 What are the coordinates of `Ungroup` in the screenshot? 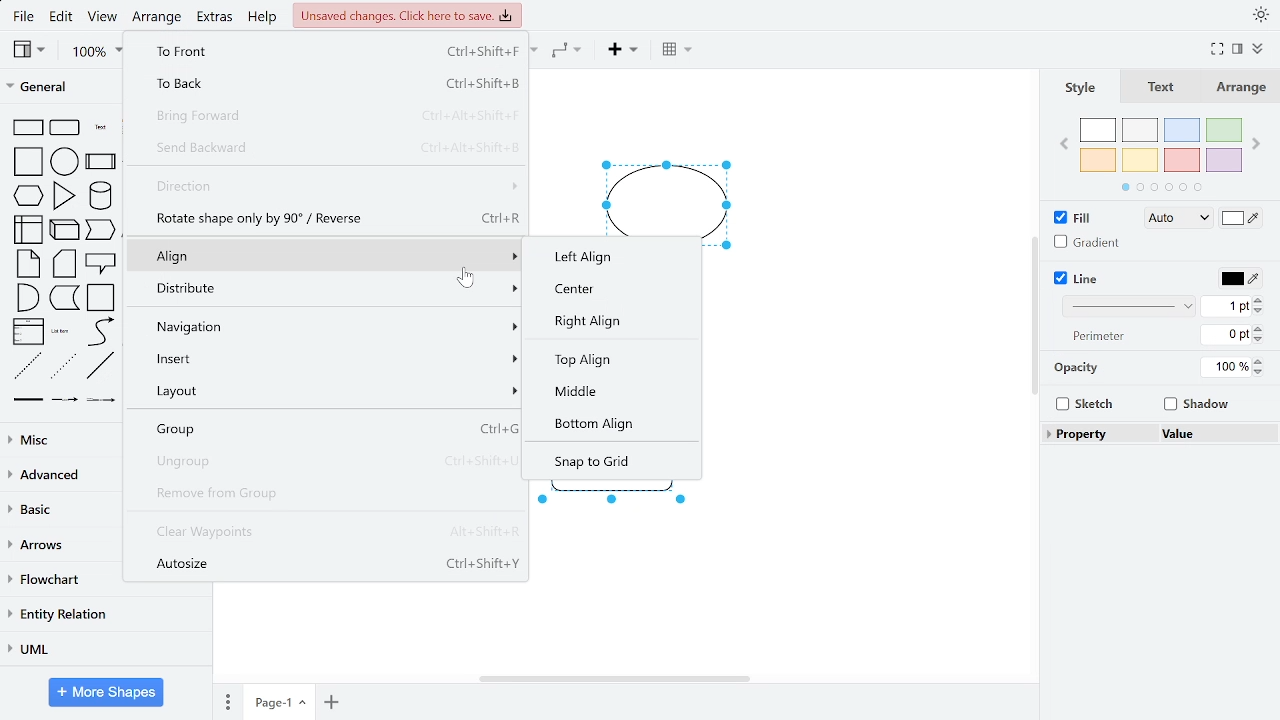 It's located at (327, 461).